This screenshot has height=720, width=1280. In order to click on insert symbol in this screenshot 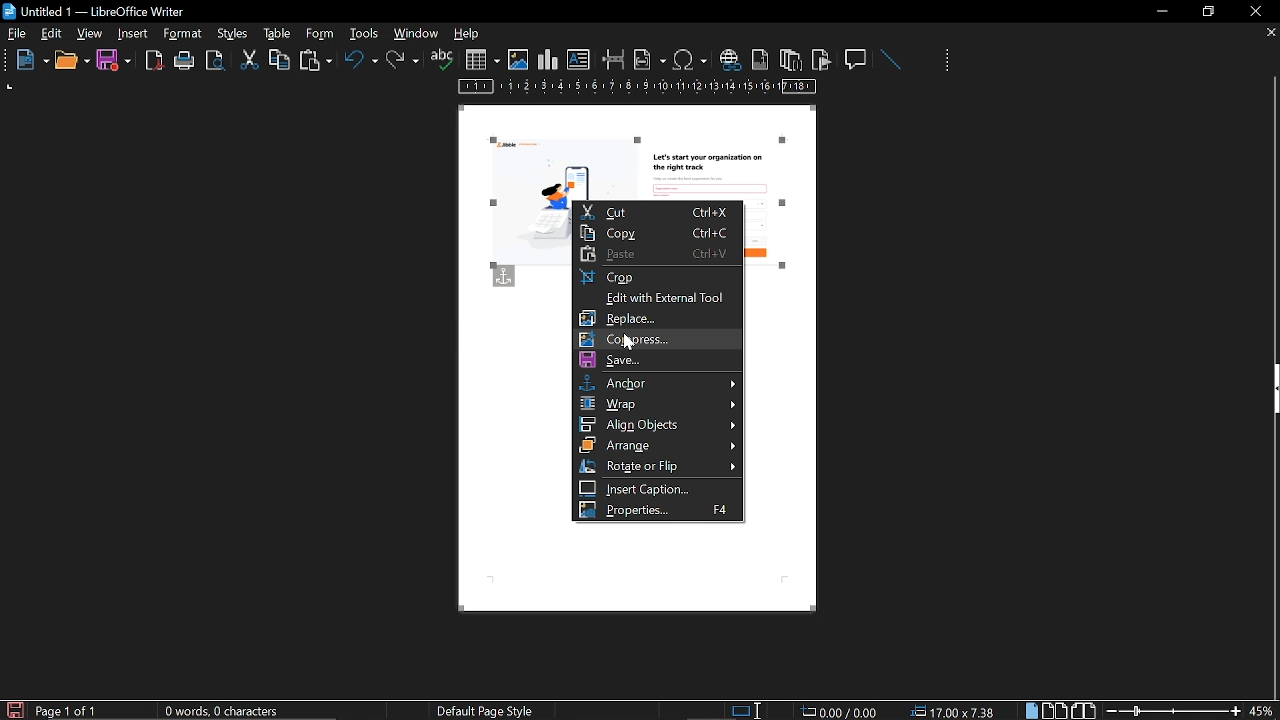, I will do `click(690, 59)`.